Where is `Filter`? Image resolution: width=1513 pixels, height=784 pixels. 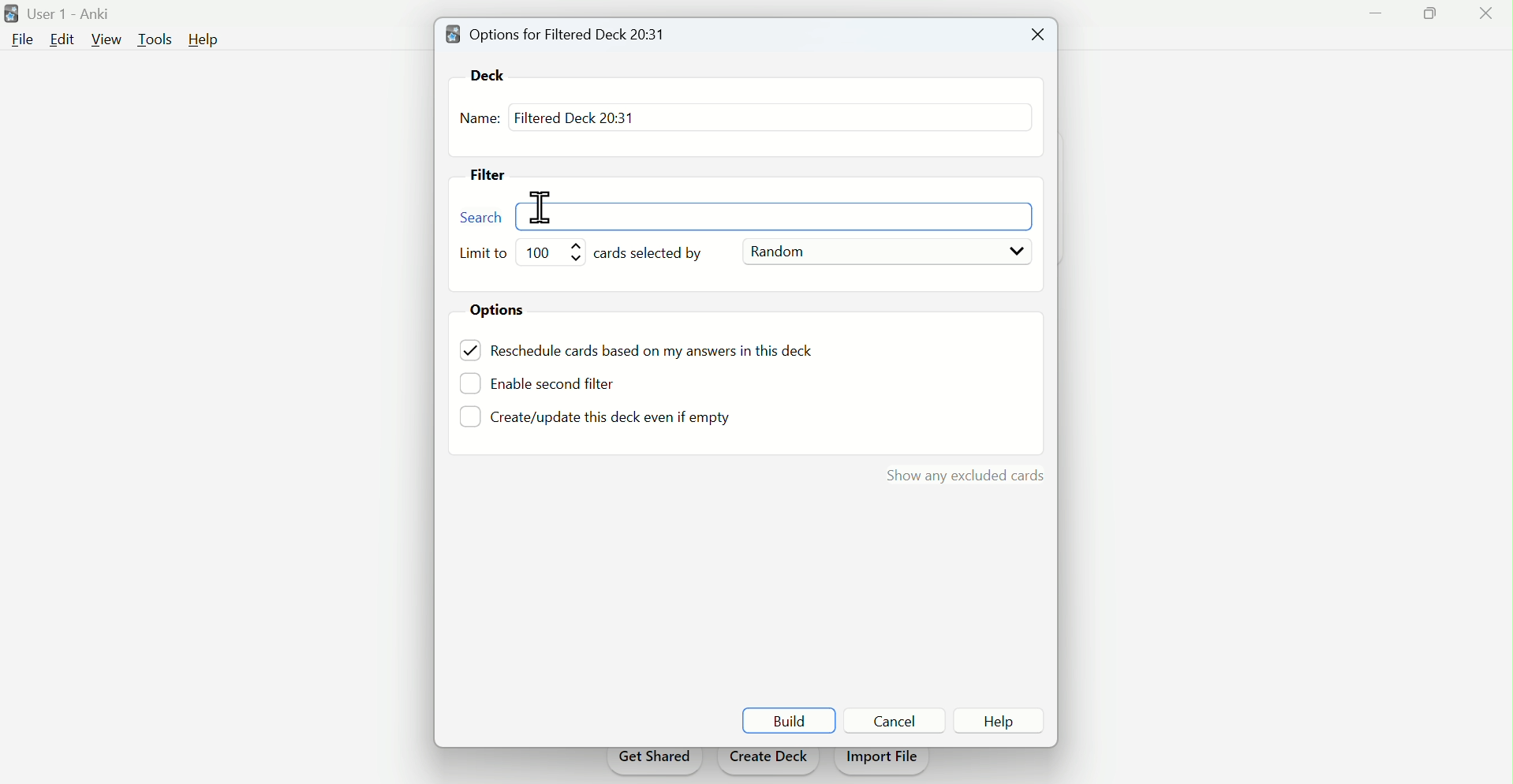 Filter is located at coordinates (495, 177).